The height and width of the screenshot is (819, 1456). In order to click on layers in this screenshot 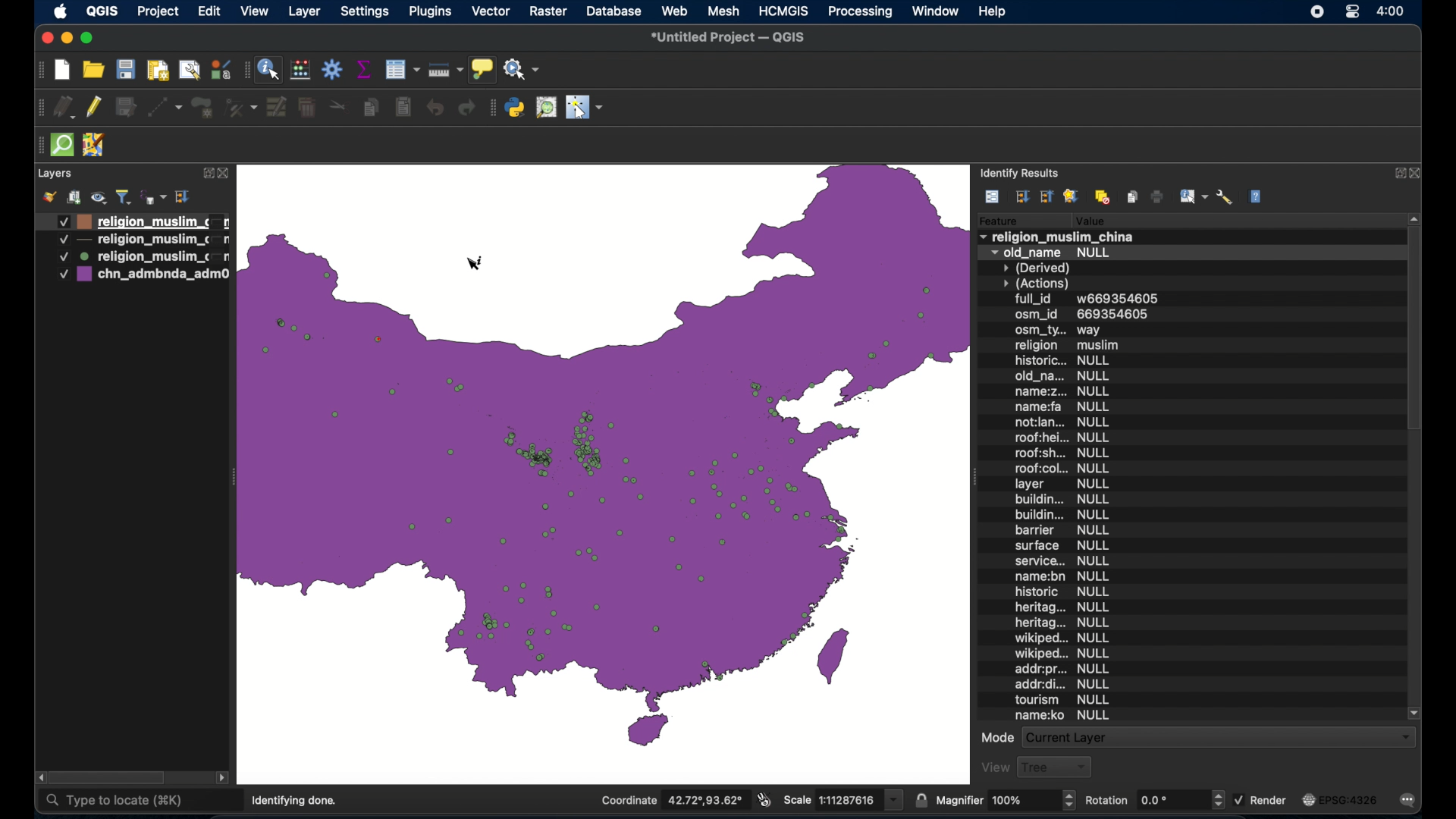, I will do `click(55, 172)`.